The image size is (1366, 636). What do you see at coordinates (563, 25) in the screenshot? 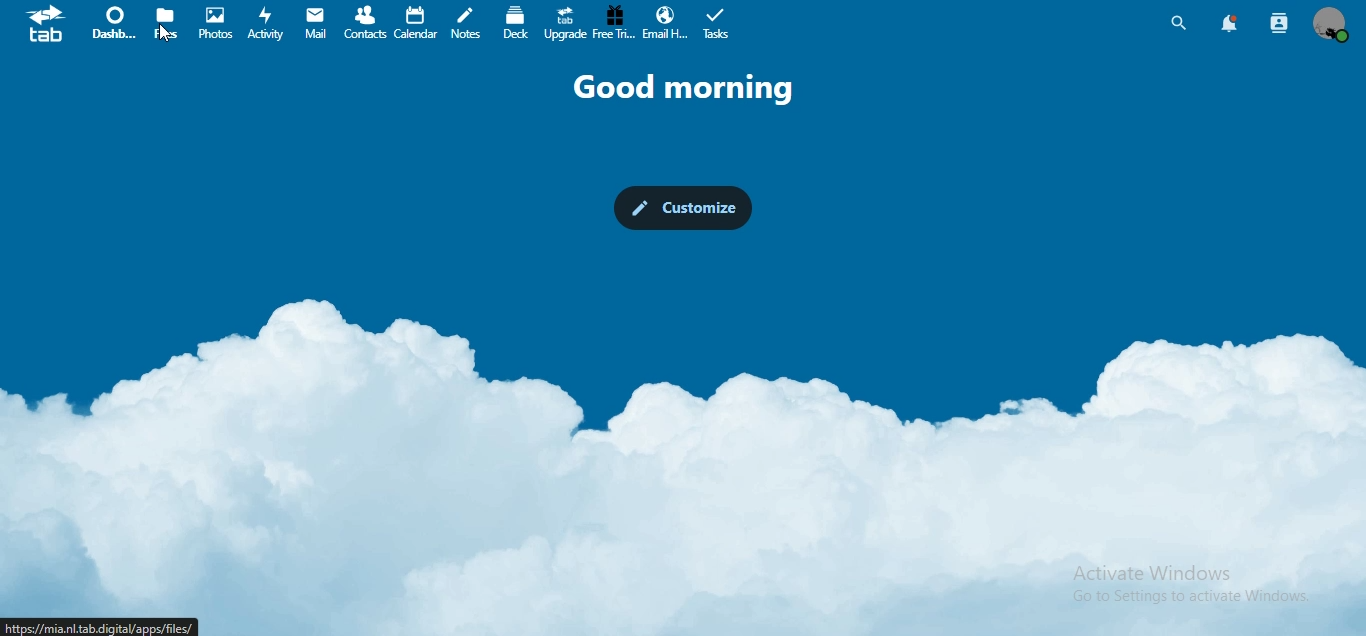
I see `upgrade` at bounding box center [563, 25].